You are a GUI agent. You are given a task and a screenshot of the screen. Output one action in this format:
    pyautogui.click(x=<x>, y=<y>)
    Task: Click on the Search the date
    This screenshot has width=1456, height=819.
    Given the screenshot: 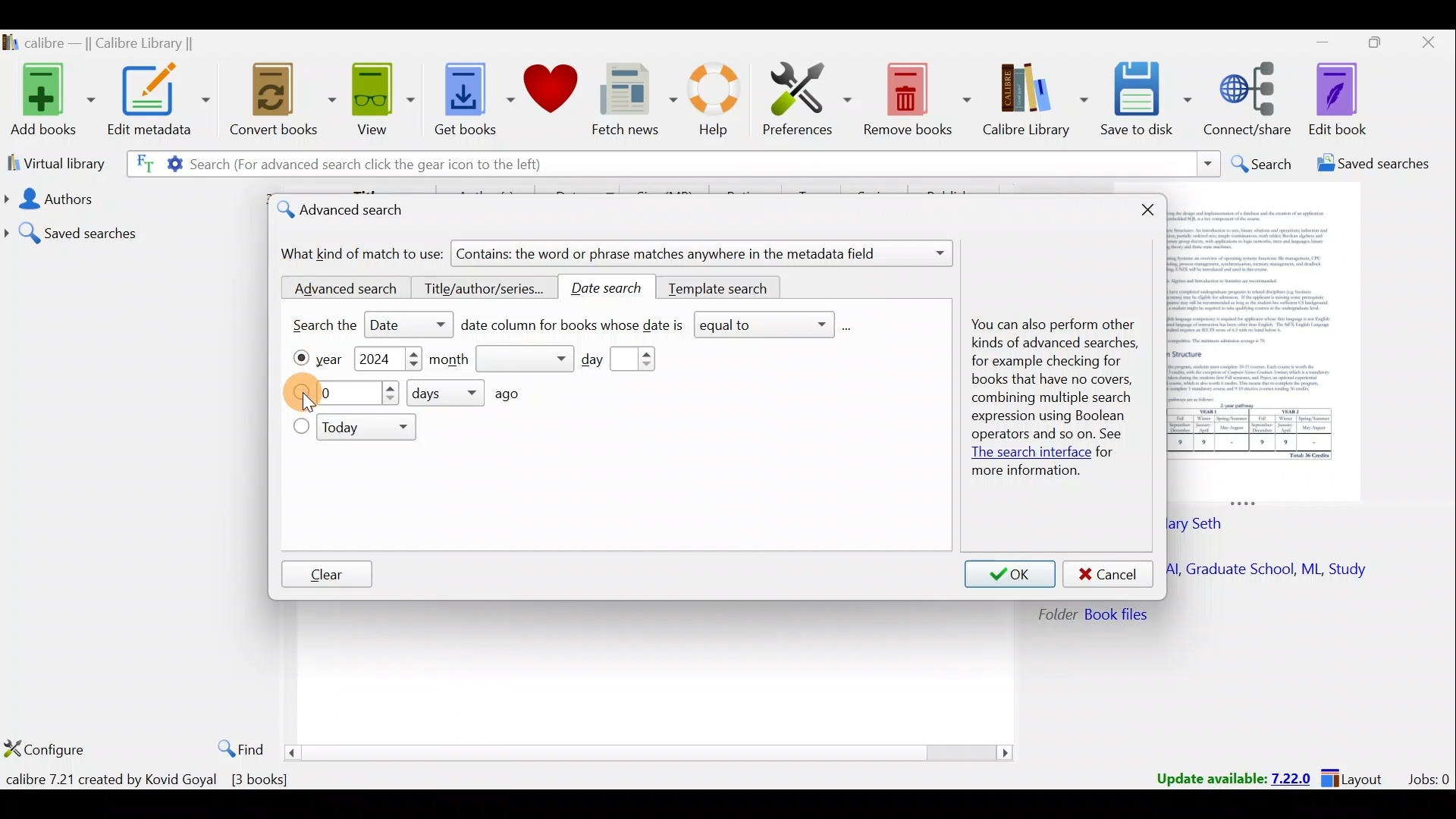 What is the action you would take?
    pyautogui.click(x=359, y=327)
    